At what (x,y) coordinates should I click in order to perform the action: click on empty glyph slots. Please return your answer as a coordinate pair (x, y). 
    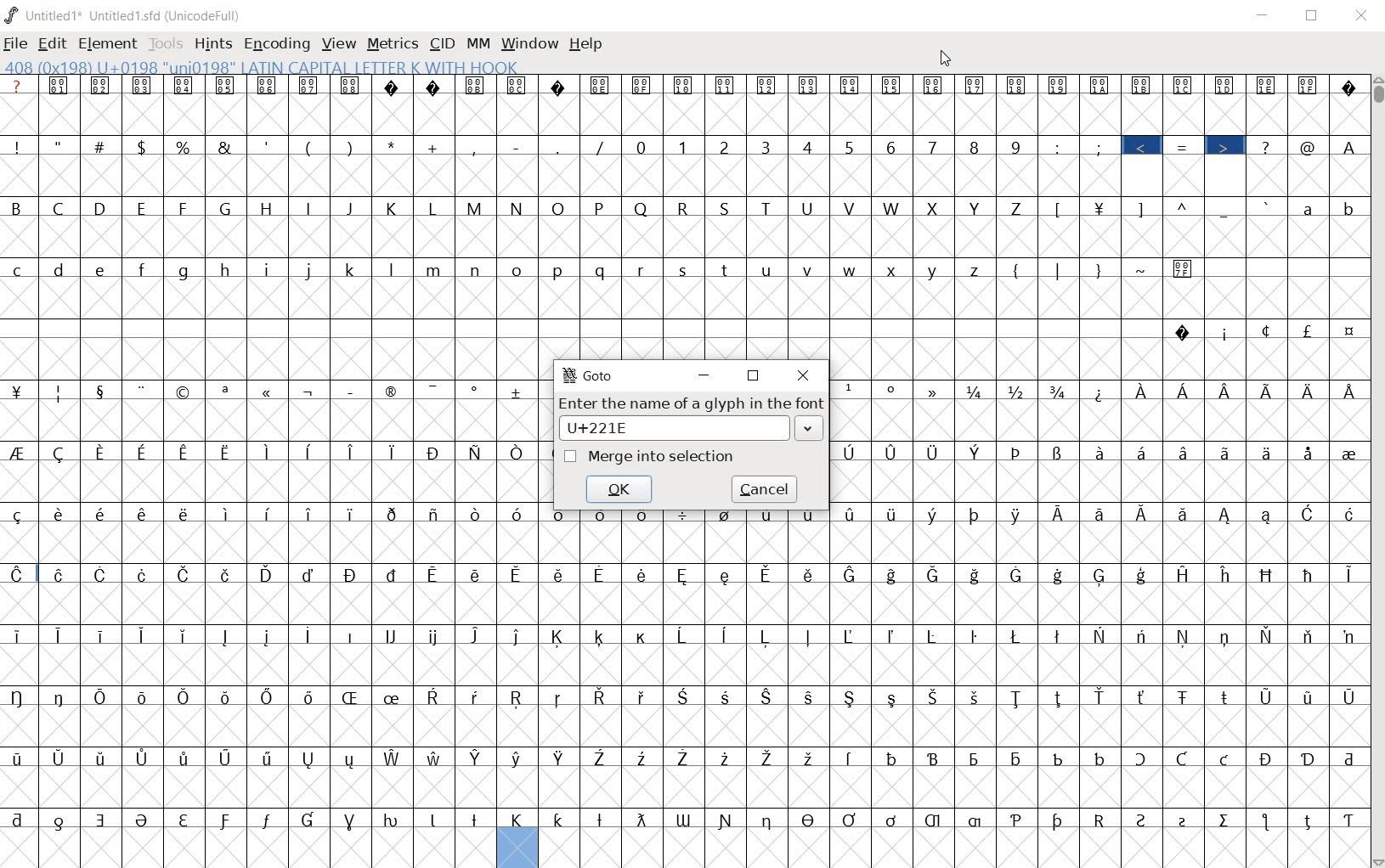
    Looking at the image, I should click on (274, 358).